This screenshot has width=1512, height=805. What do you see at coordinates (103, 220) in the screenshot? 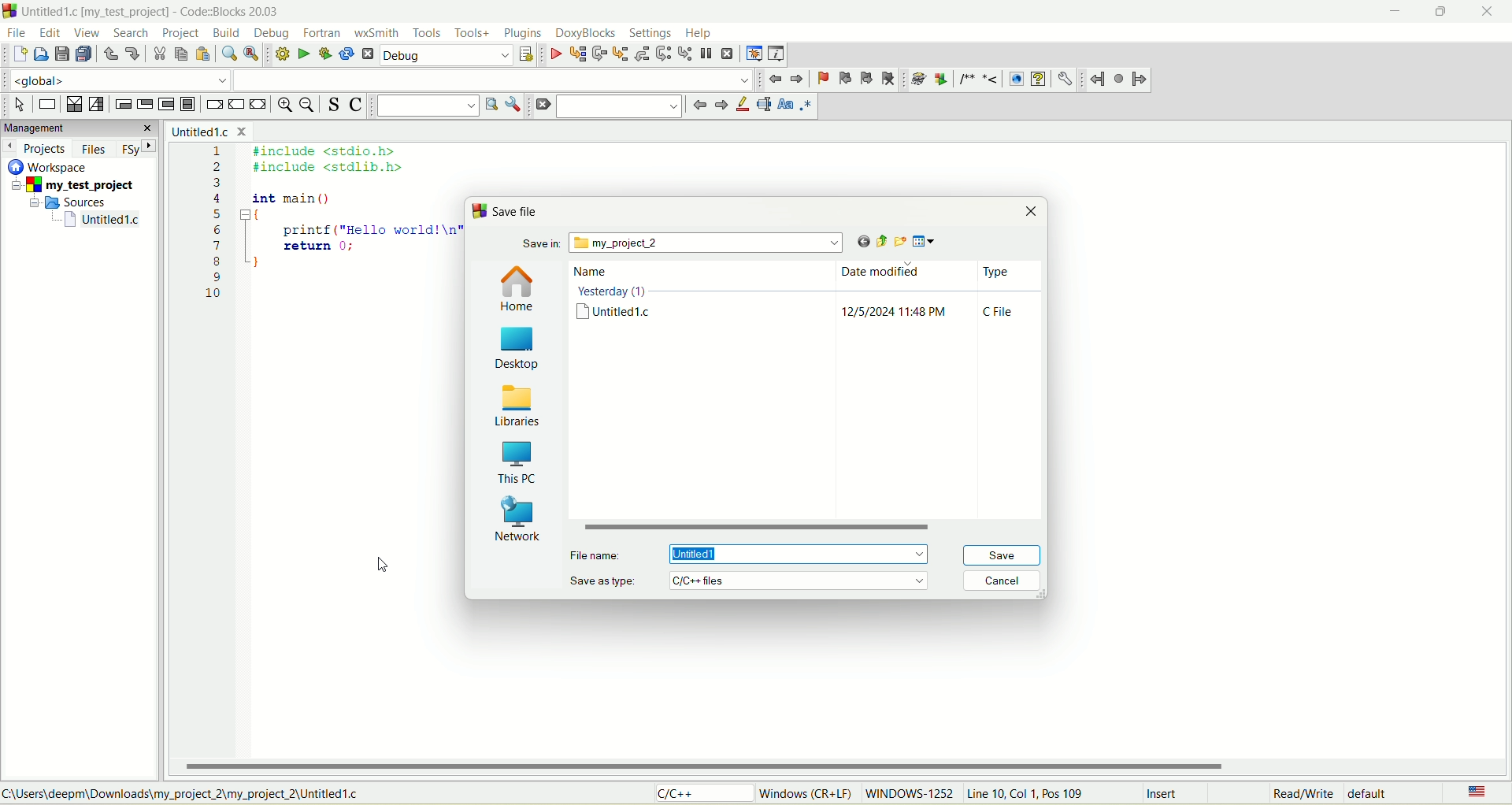
I see `title` at bounding box center [103, 220].